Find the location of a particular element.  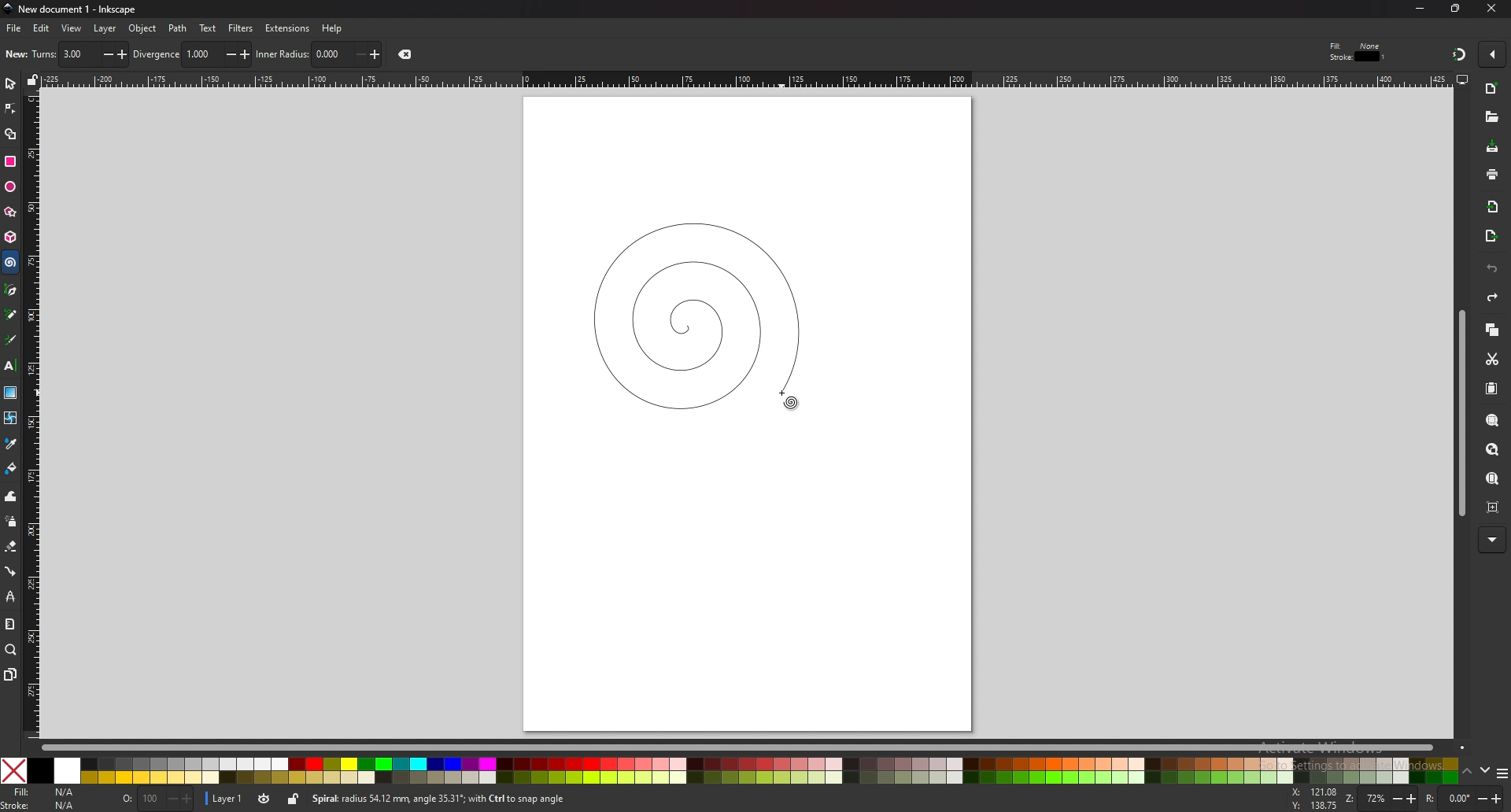

zoom is located at coordinates (12, 651).